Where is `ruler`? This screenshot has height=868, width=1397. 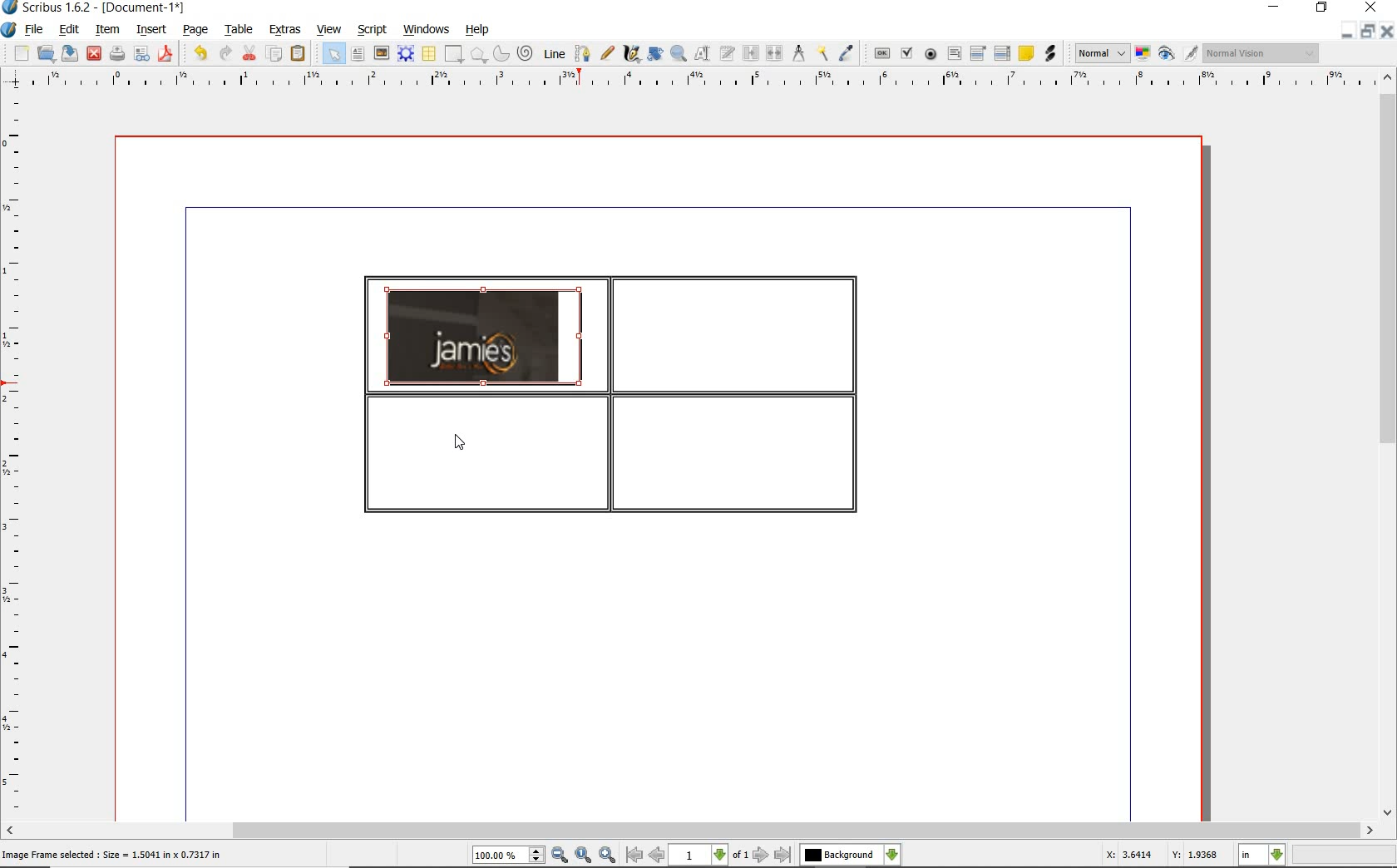 ruler is located at coordinates (16, 455).